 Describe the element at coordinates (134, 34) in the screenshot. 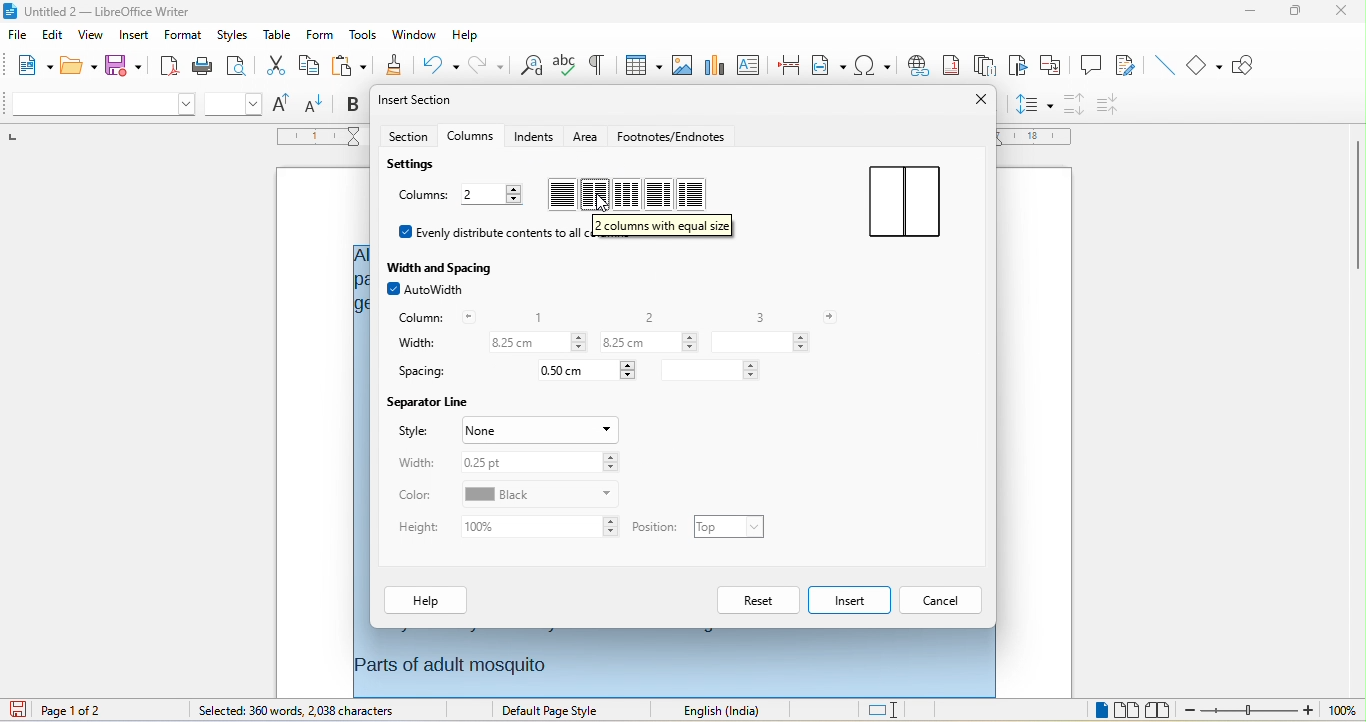

I see `insert` at that location.